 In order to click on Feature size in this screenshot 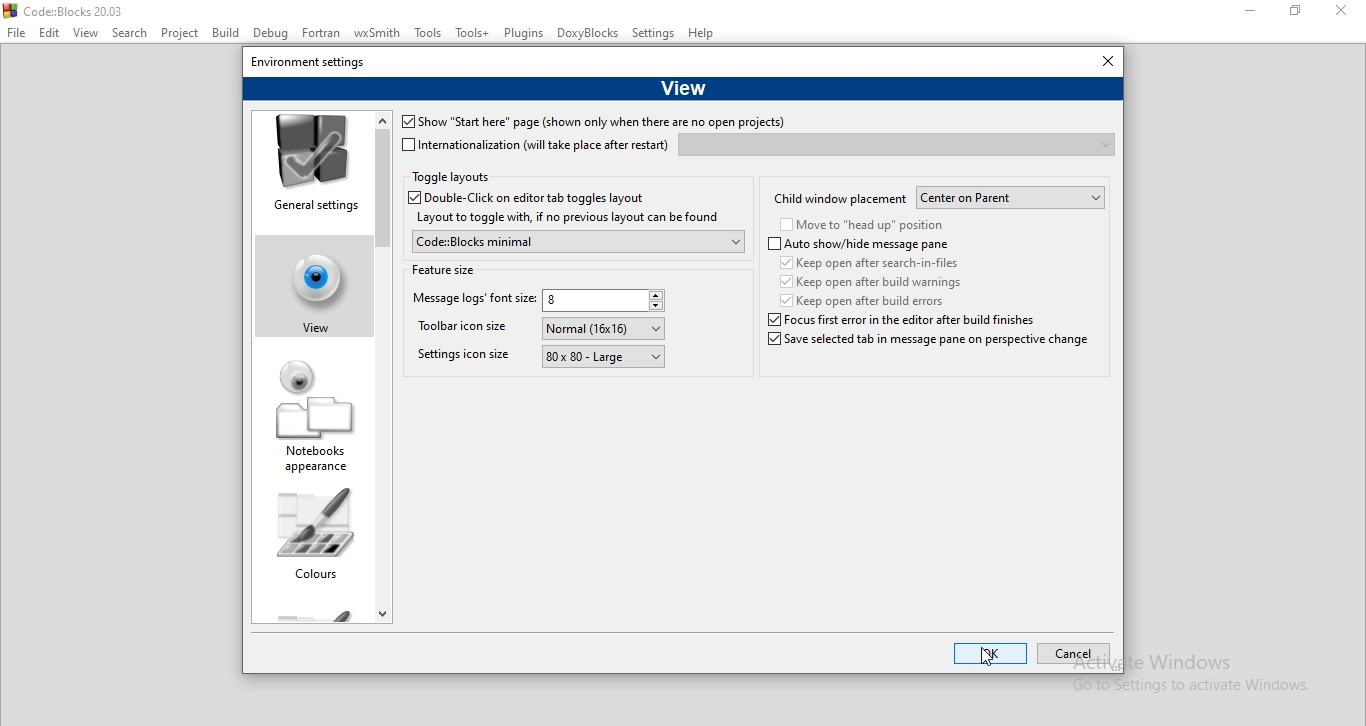, I will do `click(444, 268)`.